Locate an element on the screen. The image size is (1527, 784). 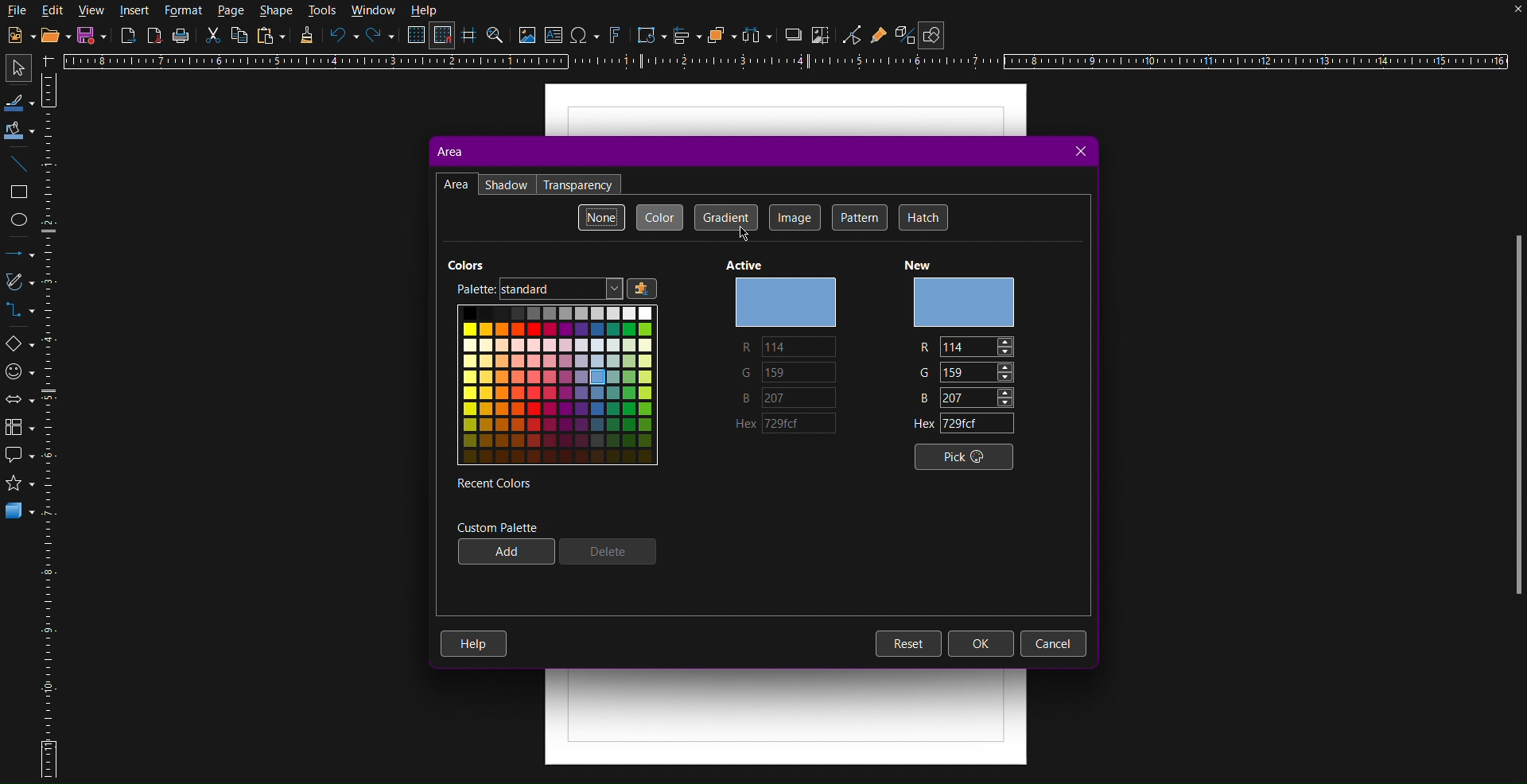
Vectors is located at coordinates (18, 285).